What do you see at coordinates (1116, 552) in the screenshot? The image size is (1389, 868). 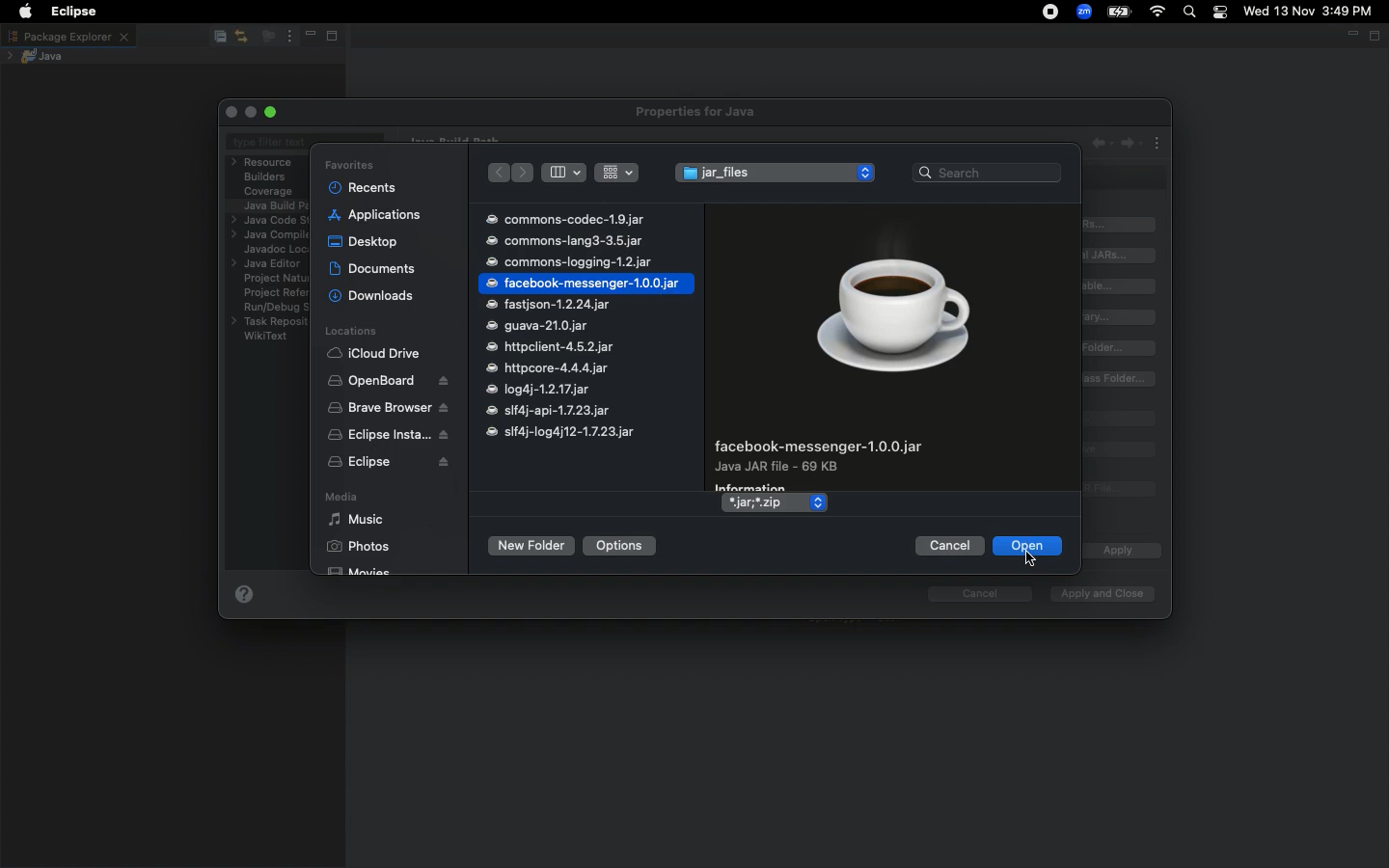 I see `Apply` at bounding box center [1116, 552].